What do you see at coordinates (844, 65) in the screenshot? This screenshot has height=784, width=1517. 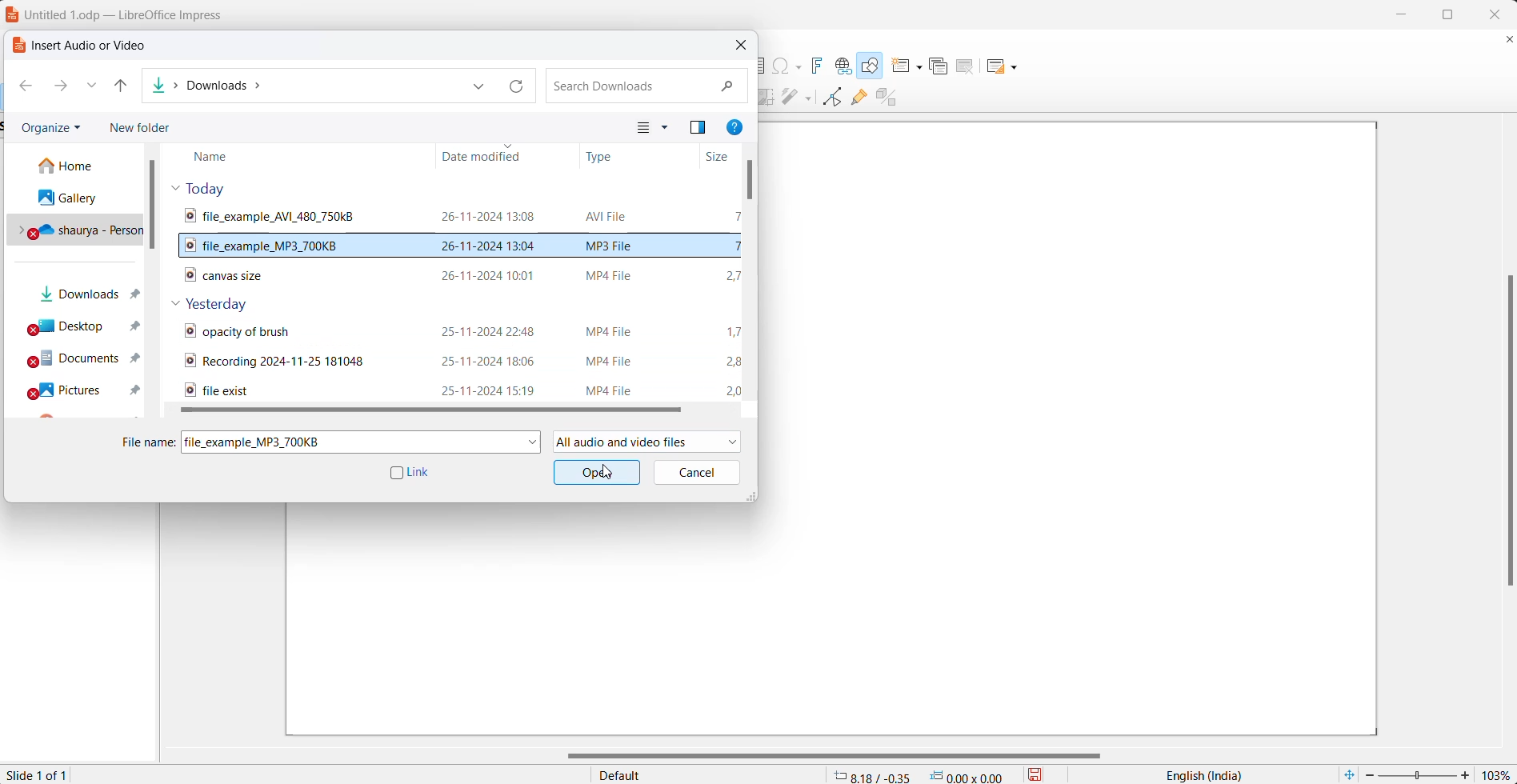 I see `insert hyperlink` at bounding box center [844, 65].